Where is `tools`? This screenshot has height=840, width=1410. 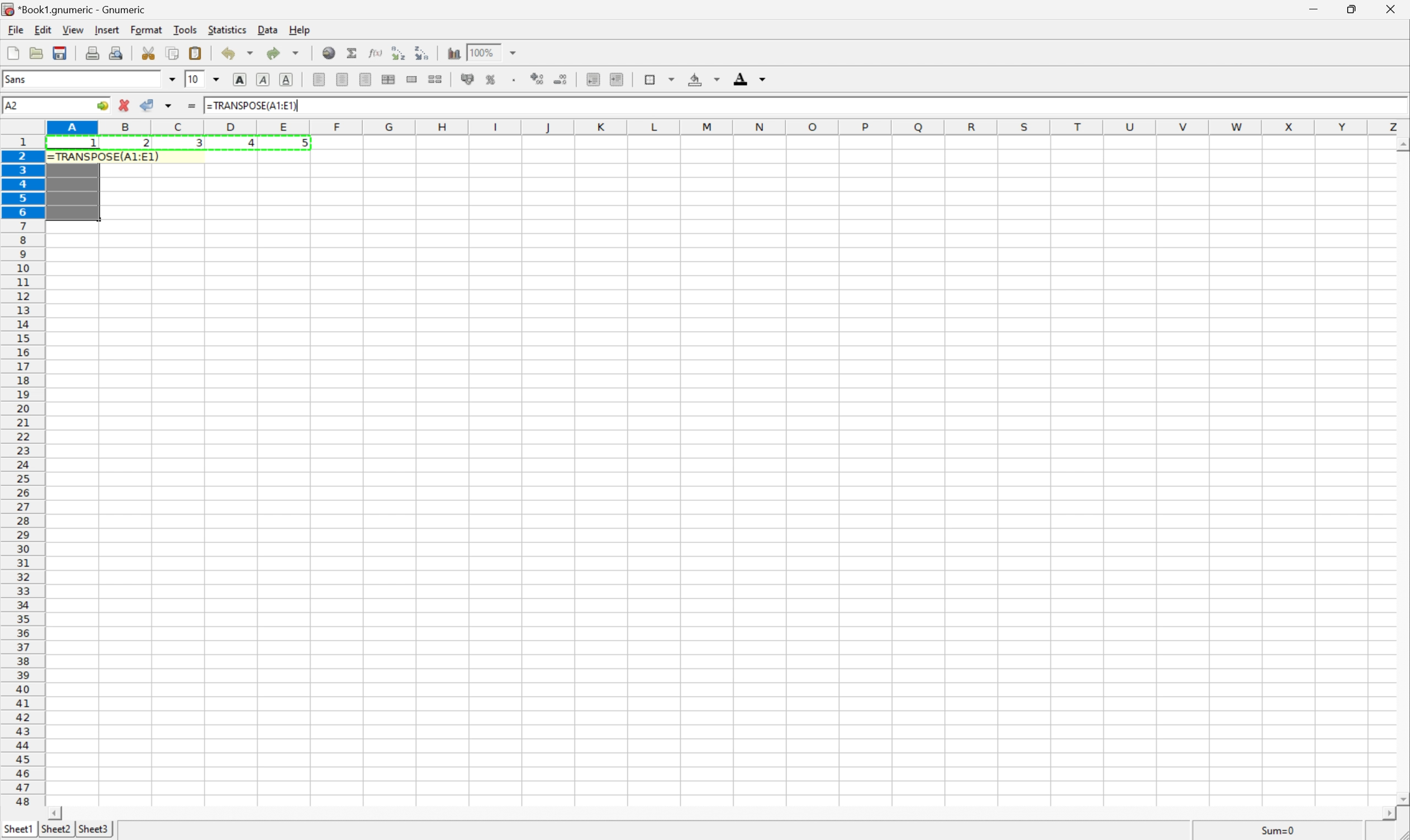 tools is located at coordinates (186, 30).